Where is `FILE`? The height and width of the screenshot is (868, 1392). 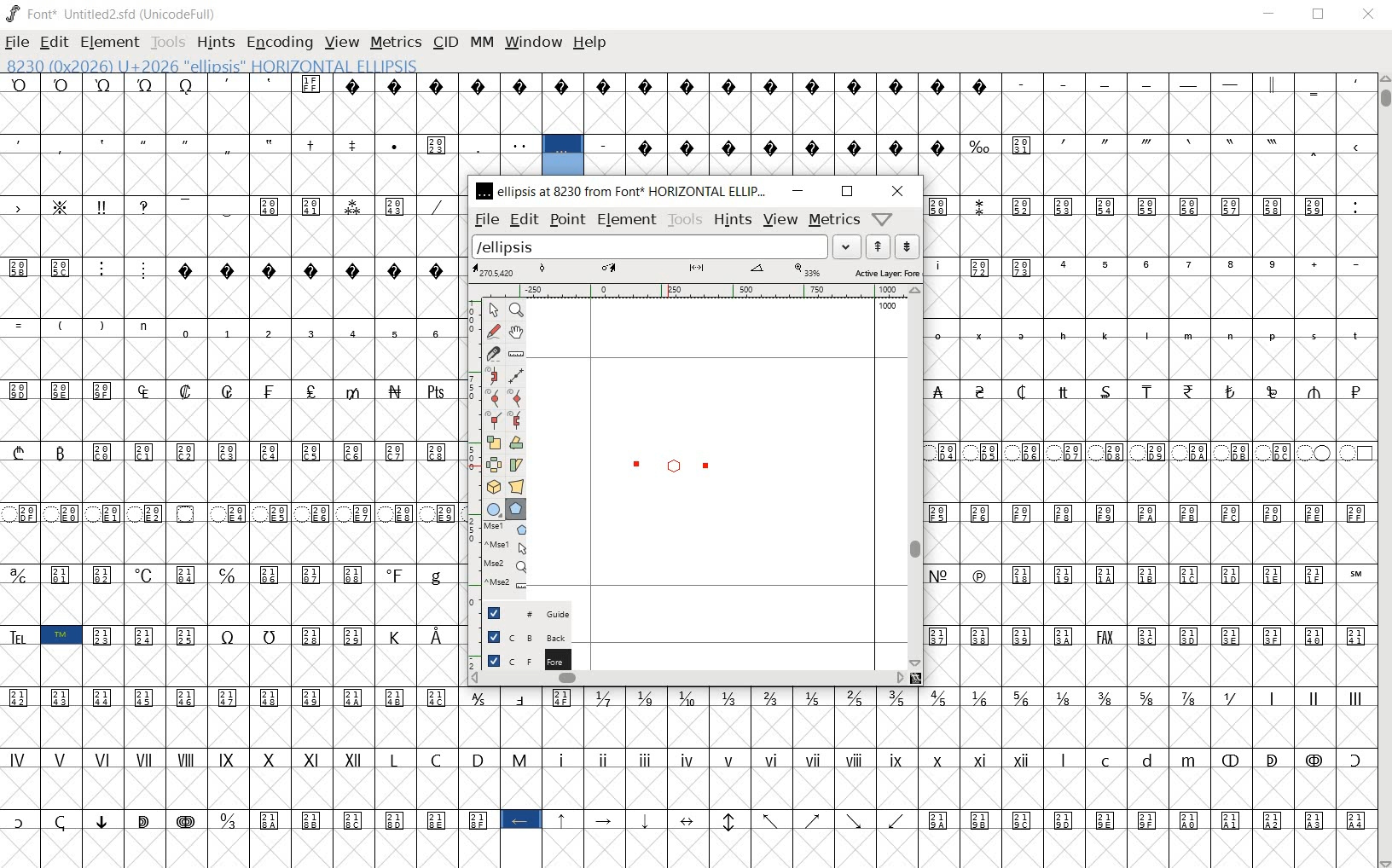
FILE is located at coordinates (17, 42).